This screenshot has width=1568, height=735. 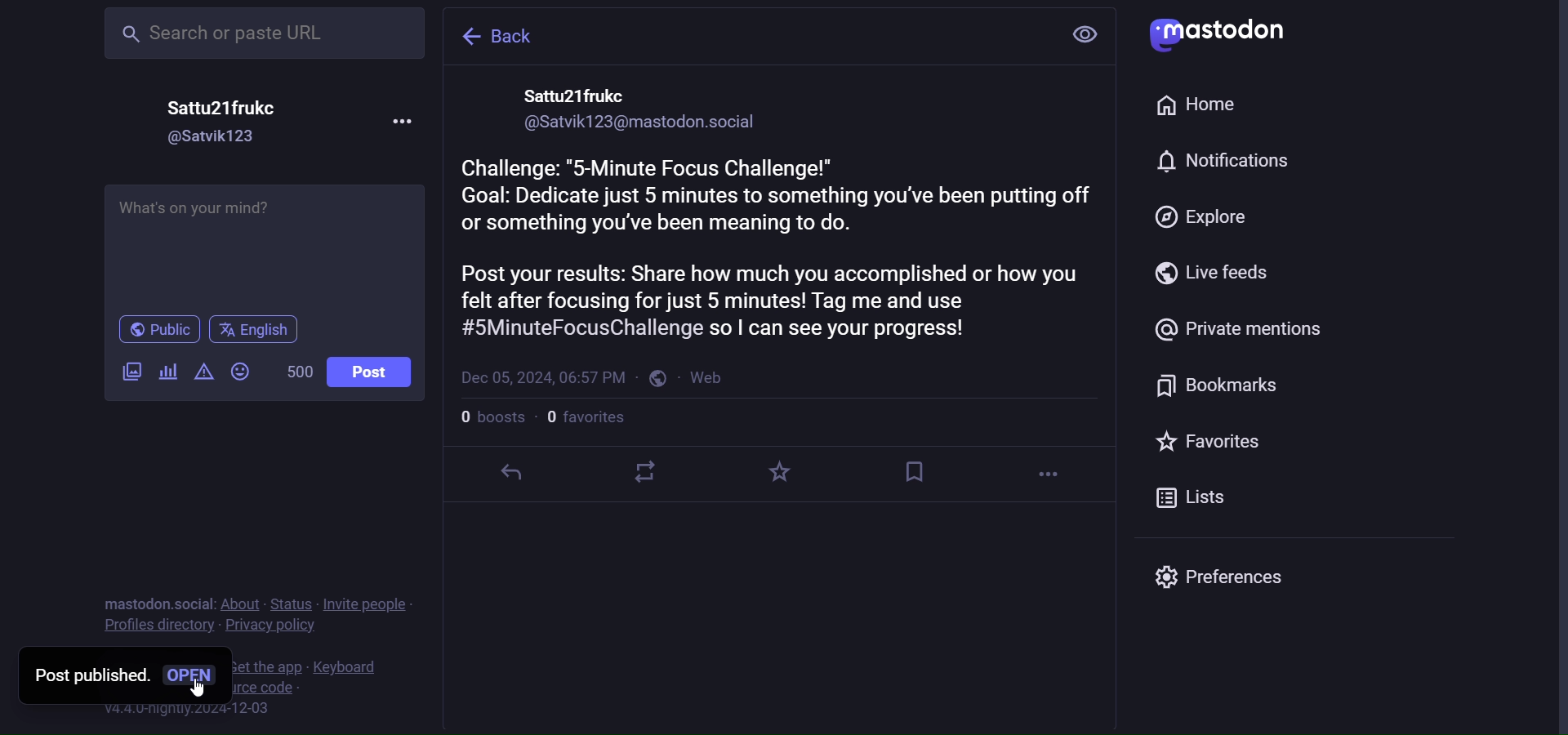 I want to click on open, so click(x=197, y=674).